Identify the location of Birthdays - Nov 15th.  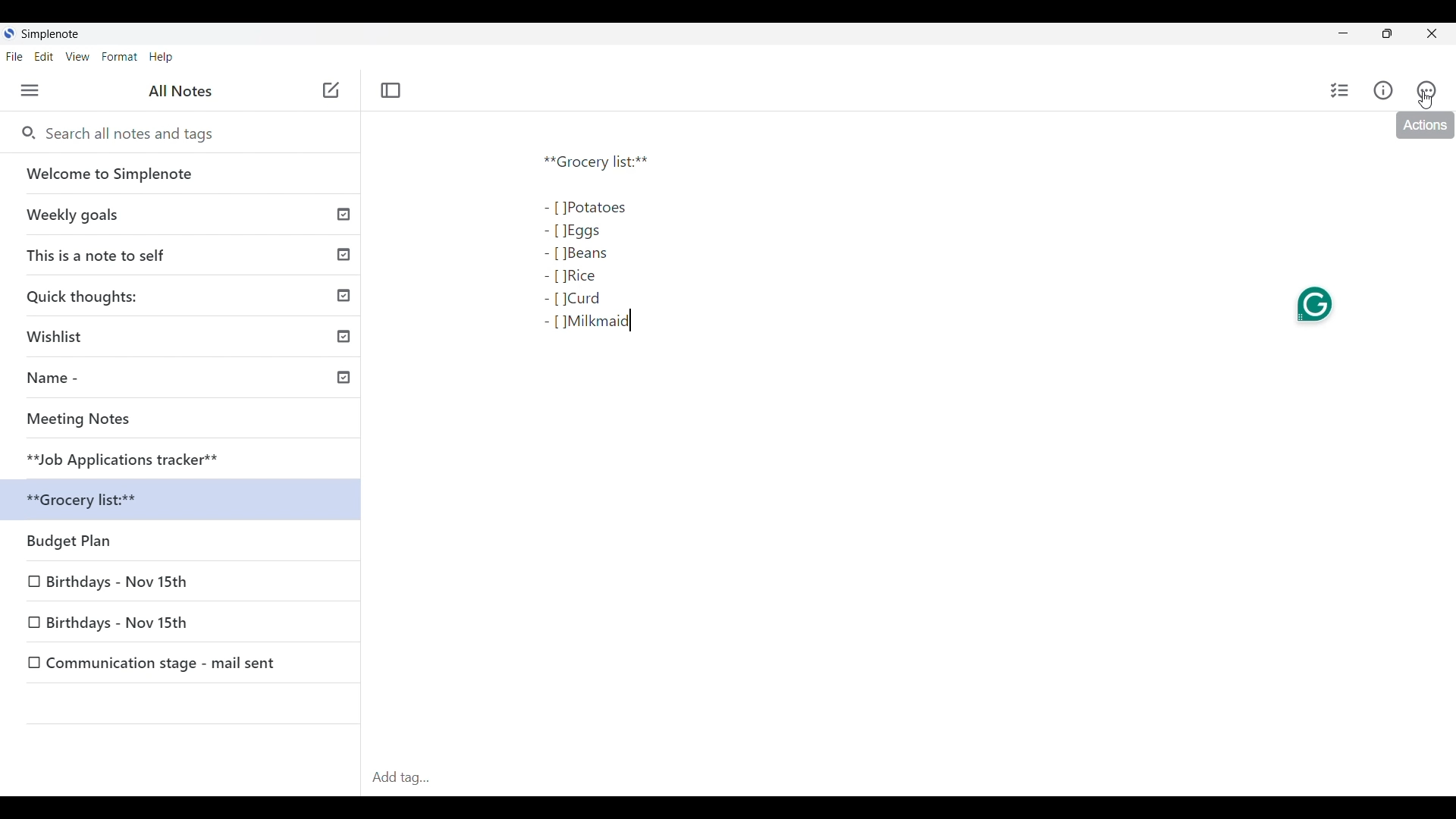
(182, 584).